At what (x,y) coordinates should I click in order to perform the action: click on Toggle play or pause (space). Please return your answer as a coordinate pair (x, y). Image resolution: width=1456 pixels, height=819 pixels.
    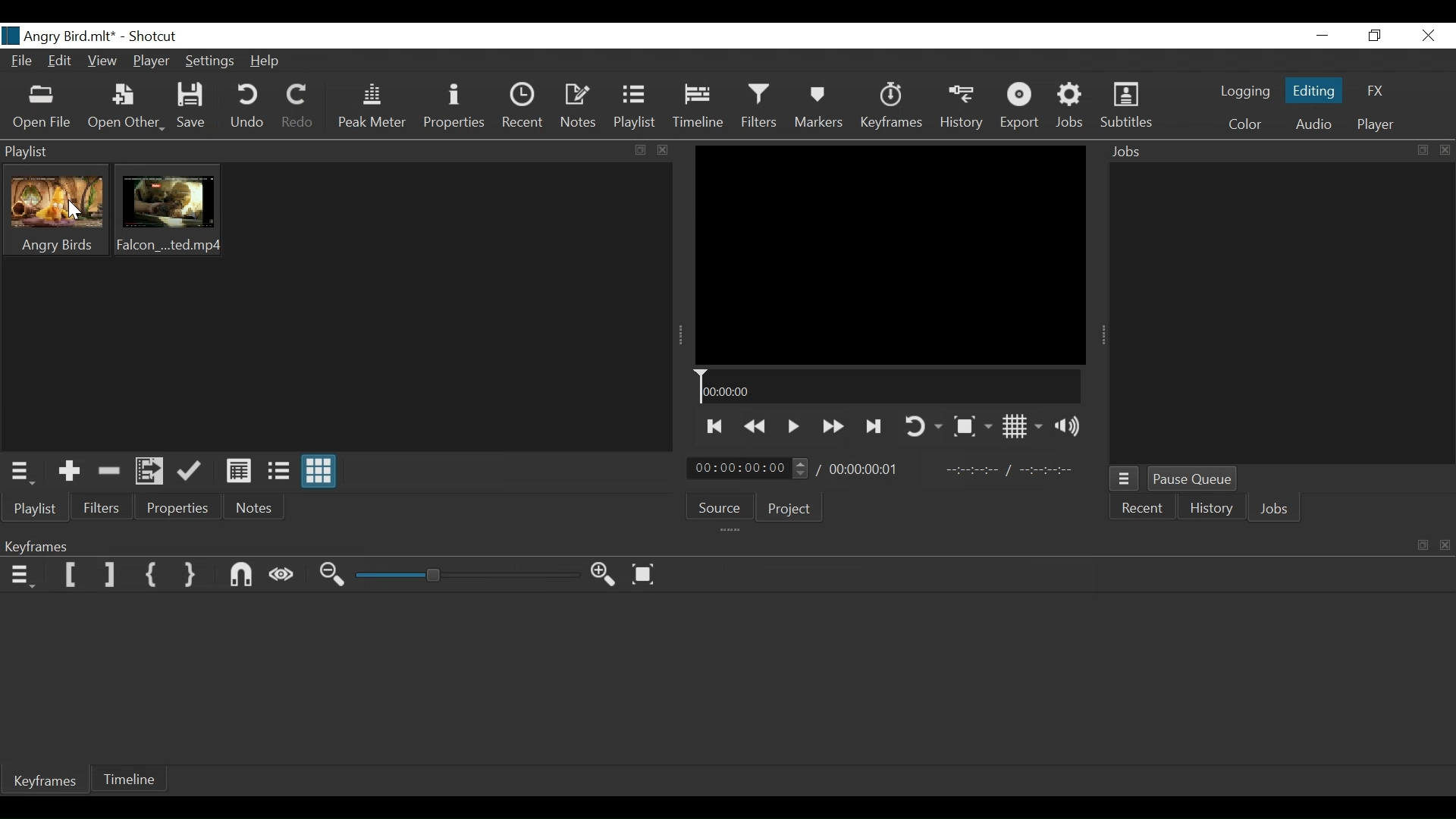
    Looking at the image, I should click on (793, 425).